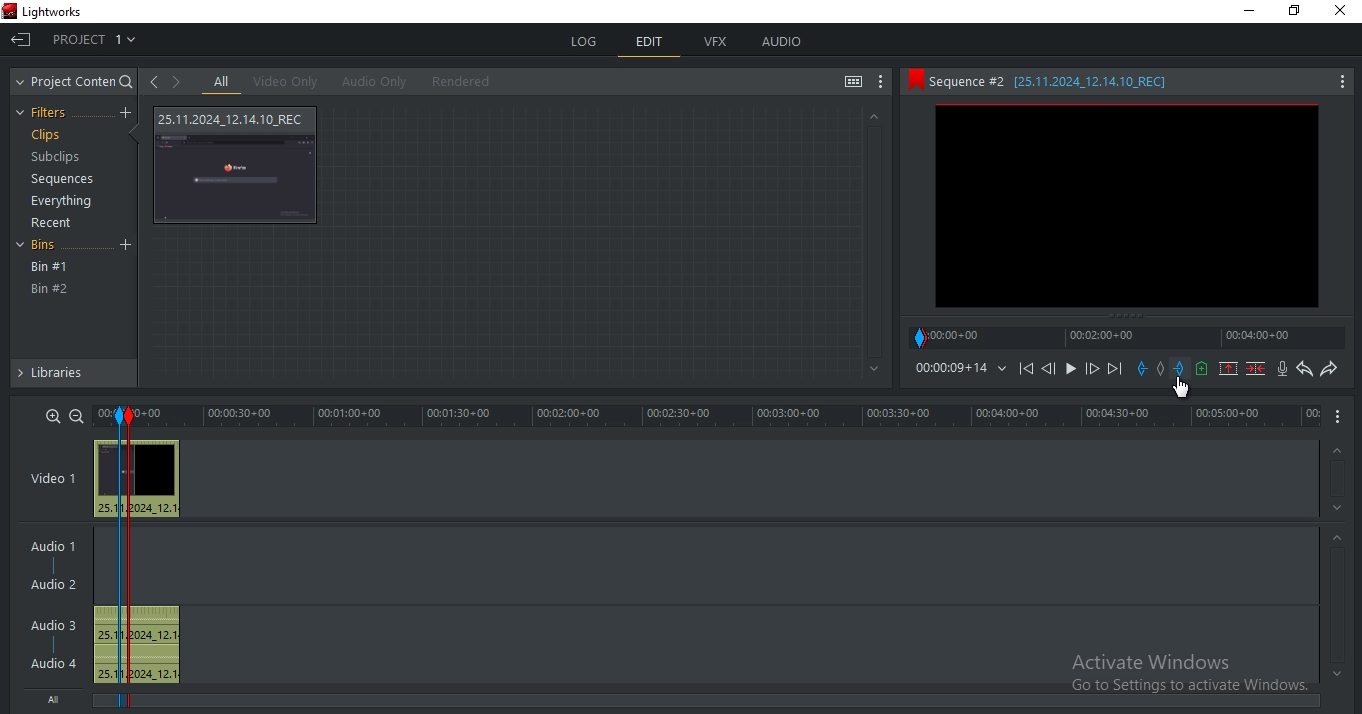 The image size is (1362, 714). I want to click on video, so click(238, 165).